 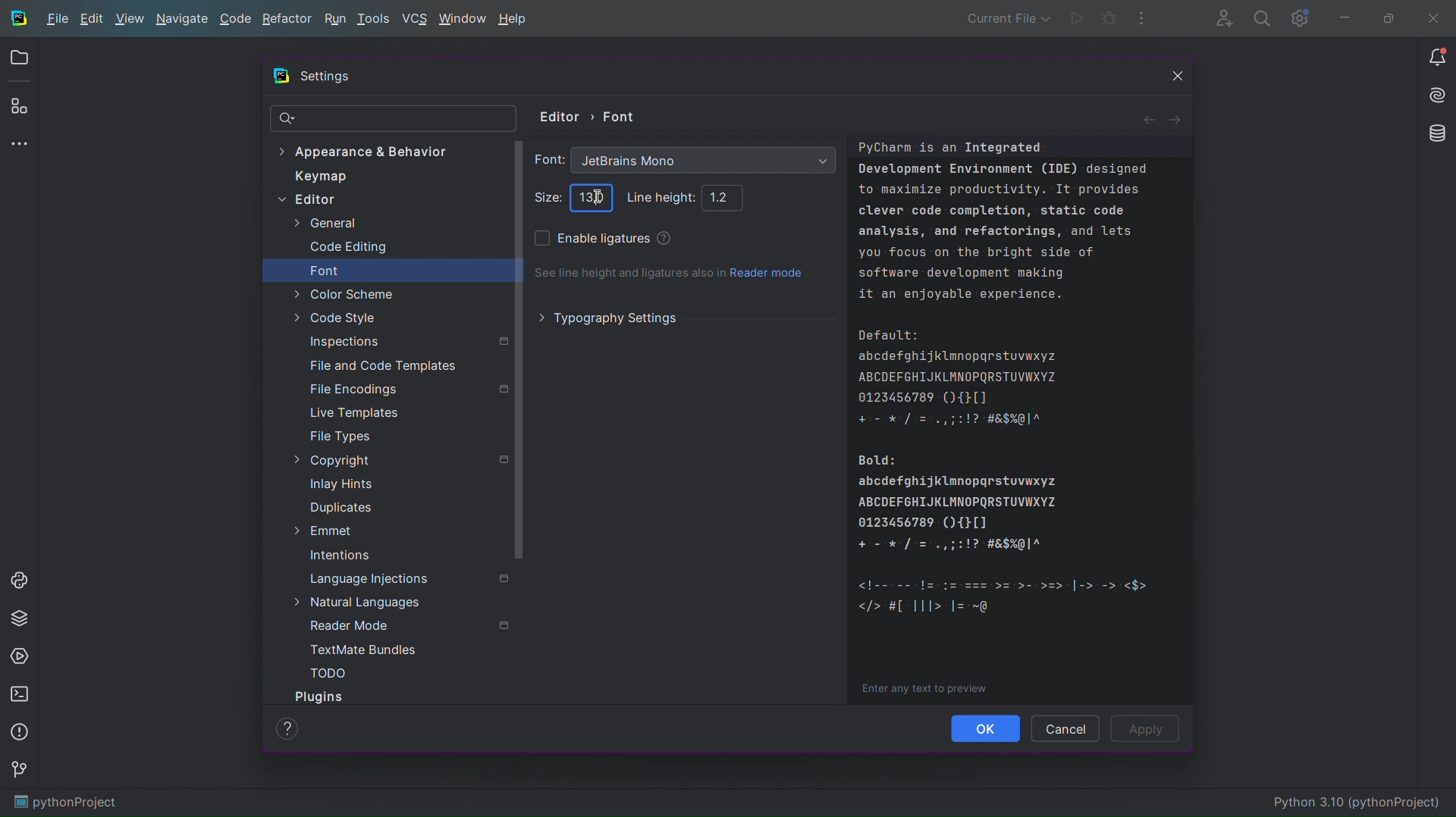 What do you see at coordinates (236, 21) in the screenshot?
I see `Code` at bounding box center [236, 21].